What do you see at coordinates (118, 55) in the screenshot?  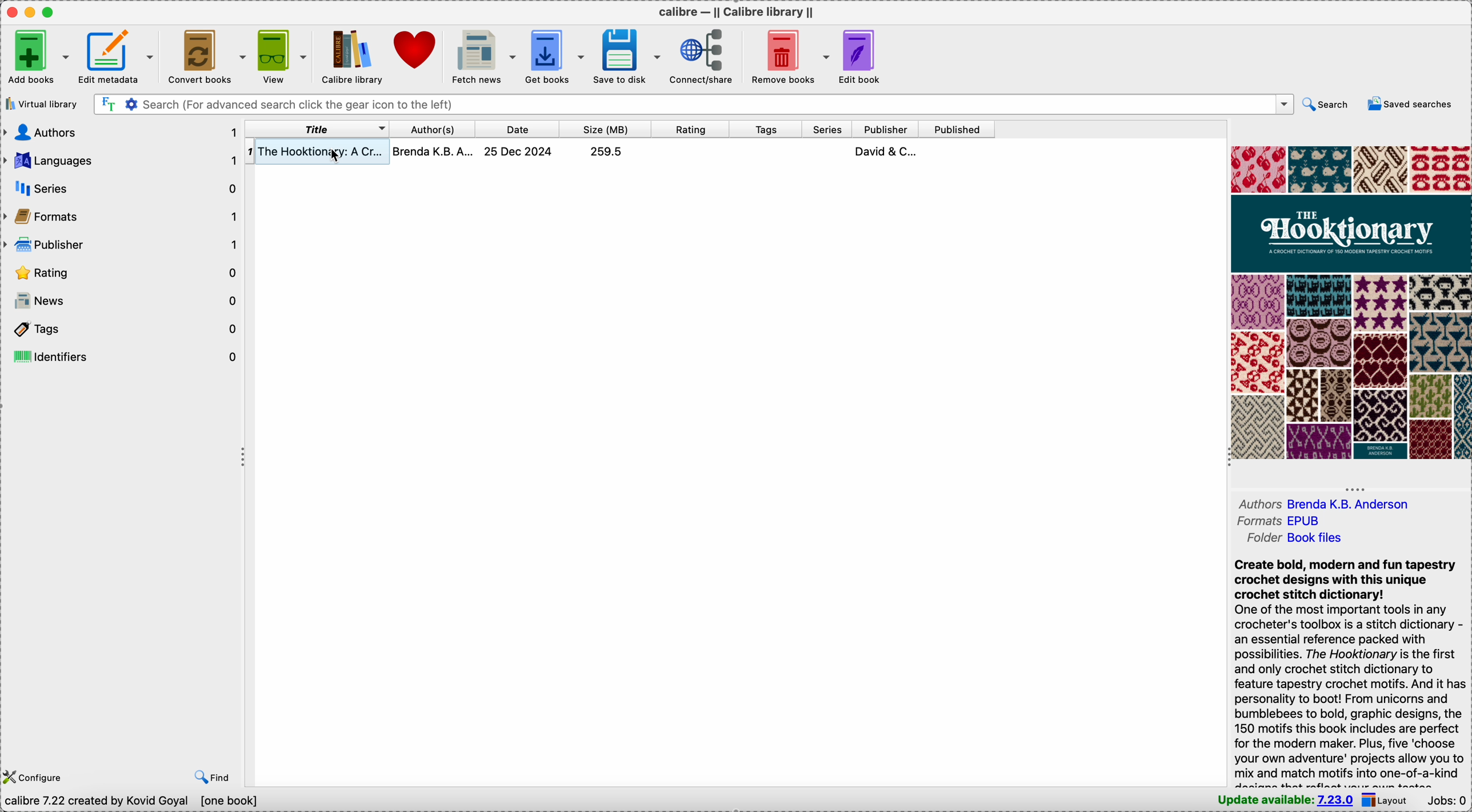 I see `edit metadata` at bounding box center [118, 55].